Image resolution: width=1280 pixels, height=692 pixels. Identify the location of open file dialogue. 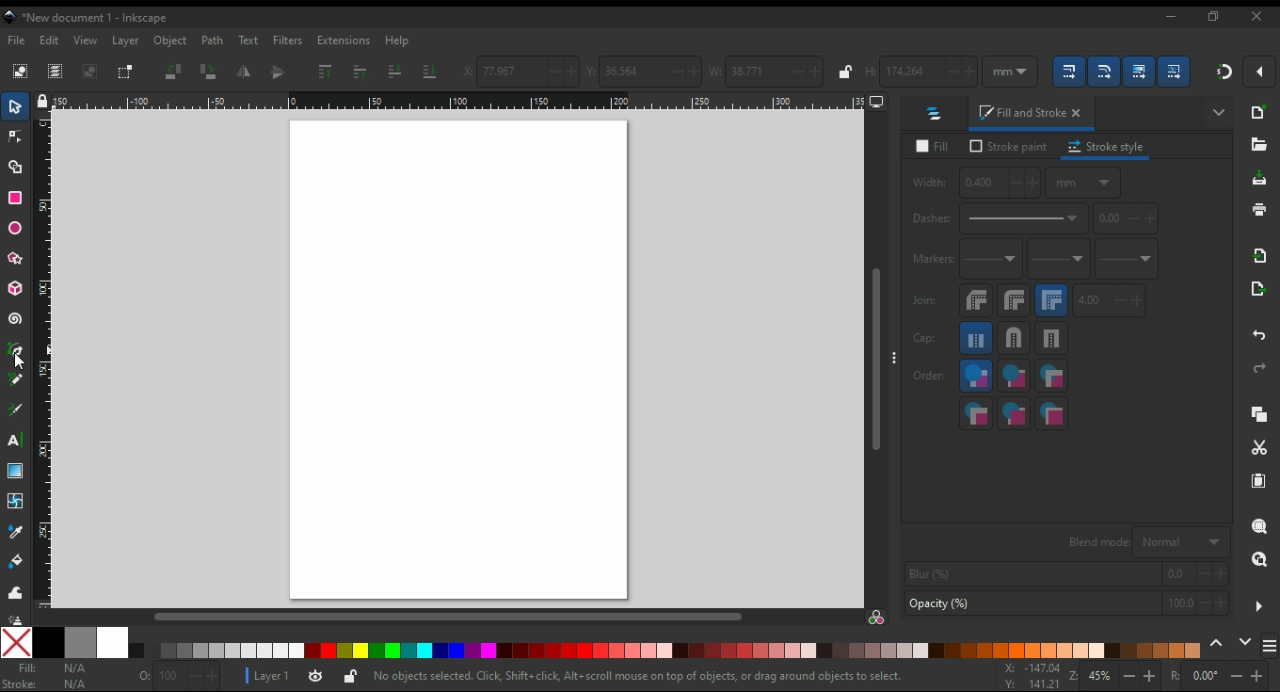
(1259, 145).